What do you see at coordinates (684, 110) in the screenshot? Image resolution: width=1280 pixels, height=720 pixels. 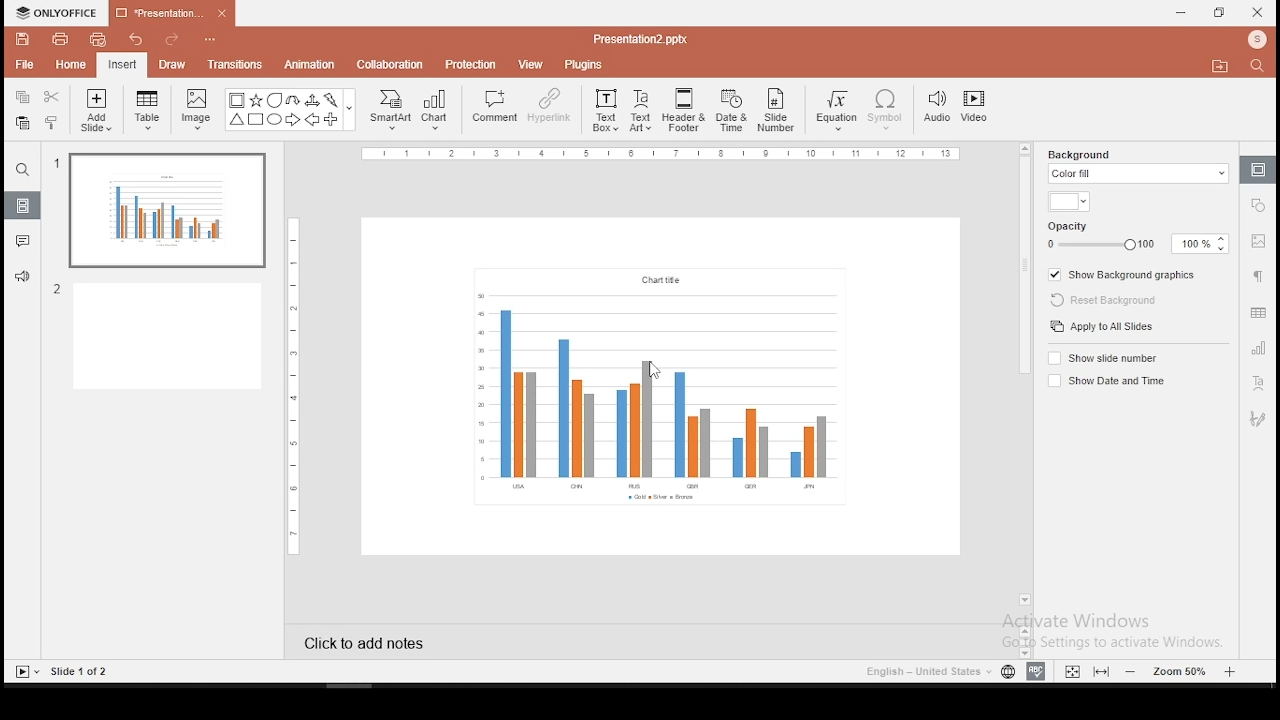 I see `header and footer` at bounding box center [684, 110].